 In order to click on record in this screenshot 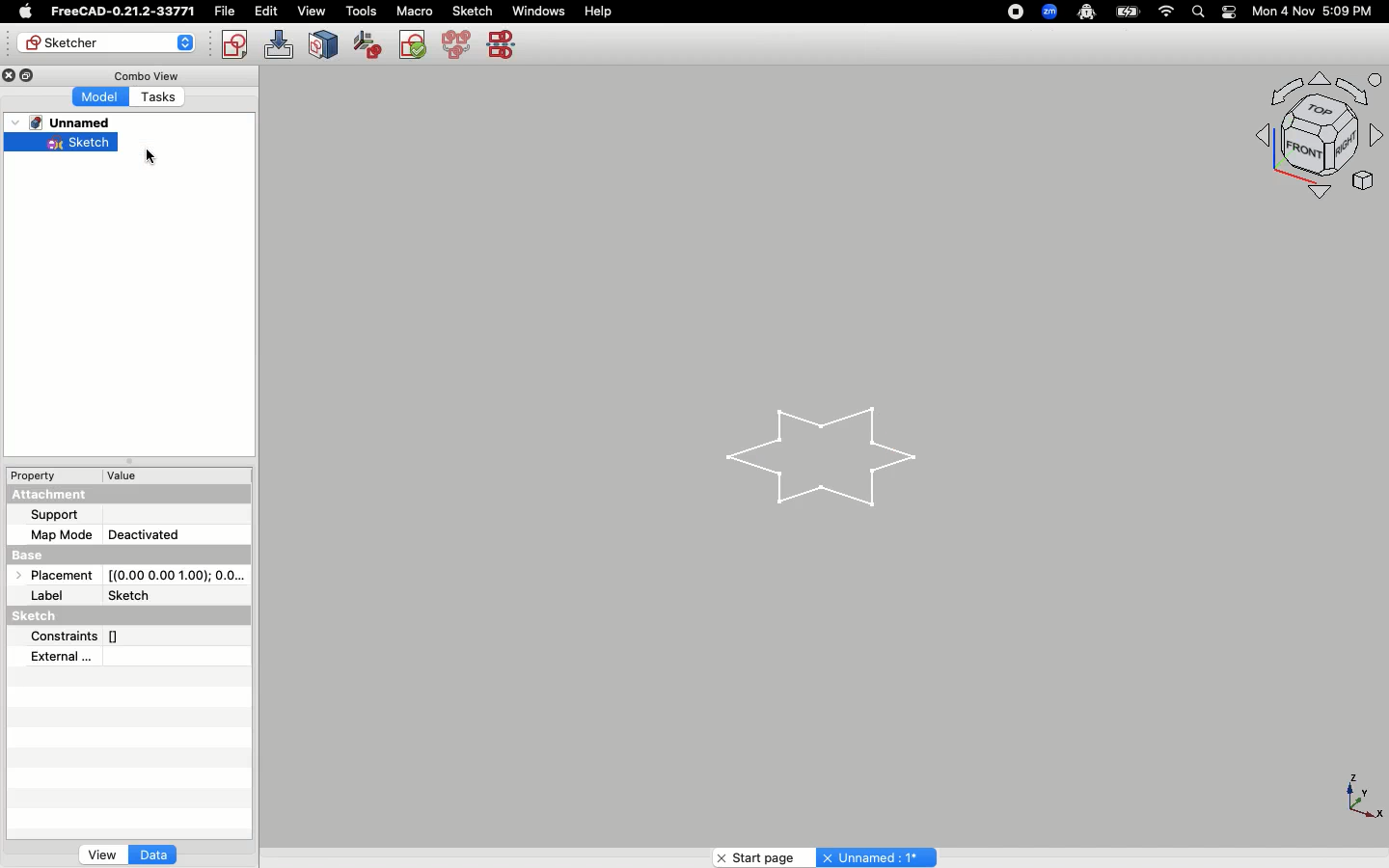, I will do `click(1010, 14)`.